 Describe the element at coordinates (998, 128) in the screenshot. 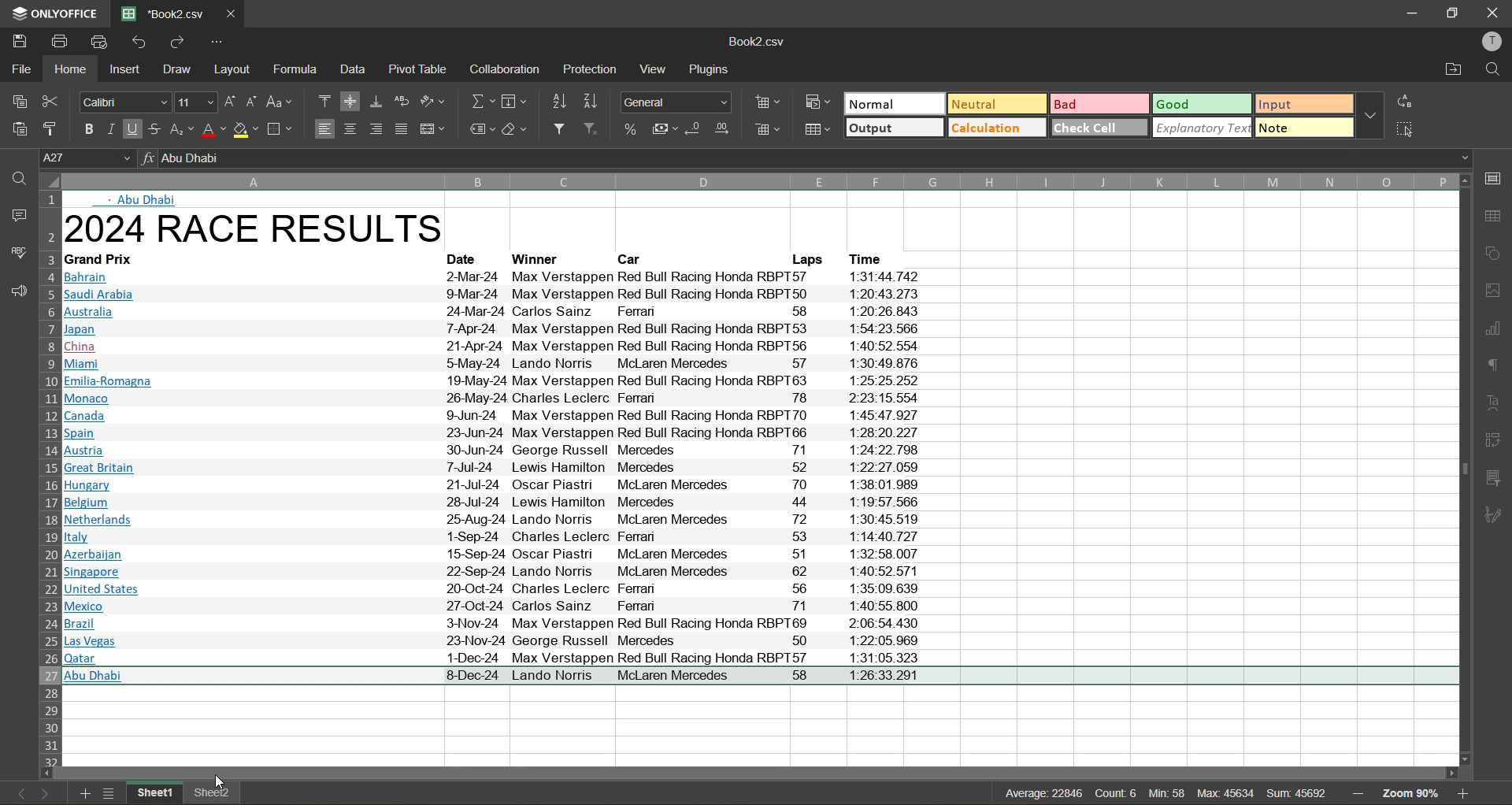

I see `calculation` at that location.